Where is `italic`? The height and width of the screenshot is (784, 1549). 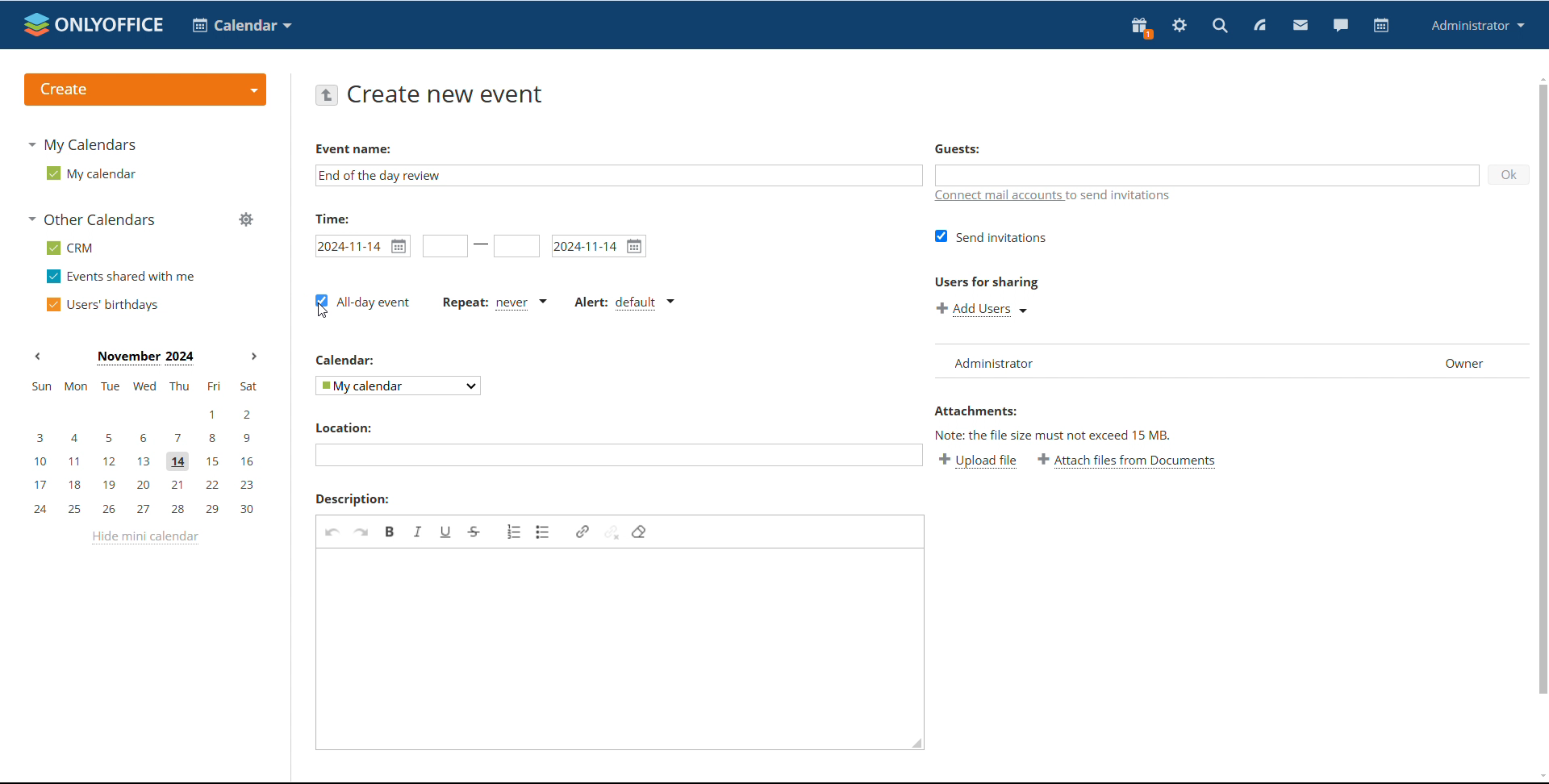
italic is located at coordinates (418, 531).